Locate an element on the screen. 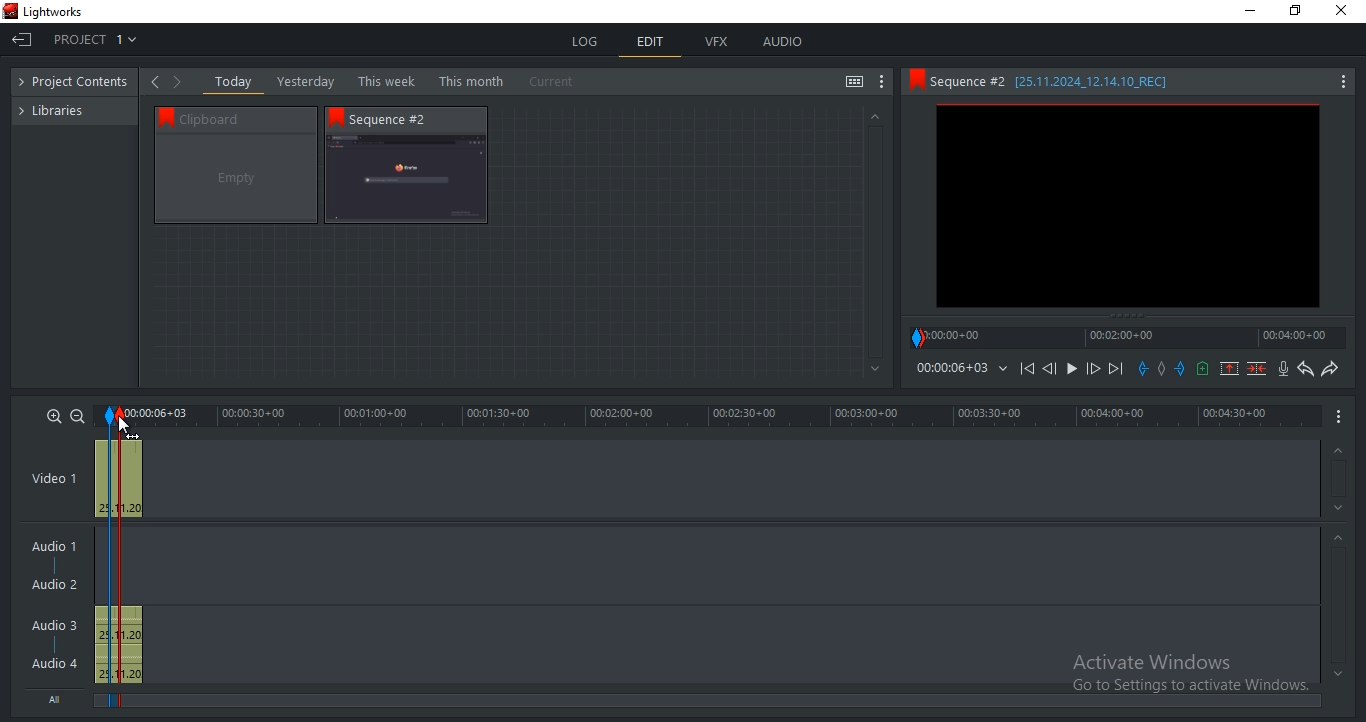 The height and width of the screenshot is (722, 1366). toggle  is located at coordinates (854, 83).